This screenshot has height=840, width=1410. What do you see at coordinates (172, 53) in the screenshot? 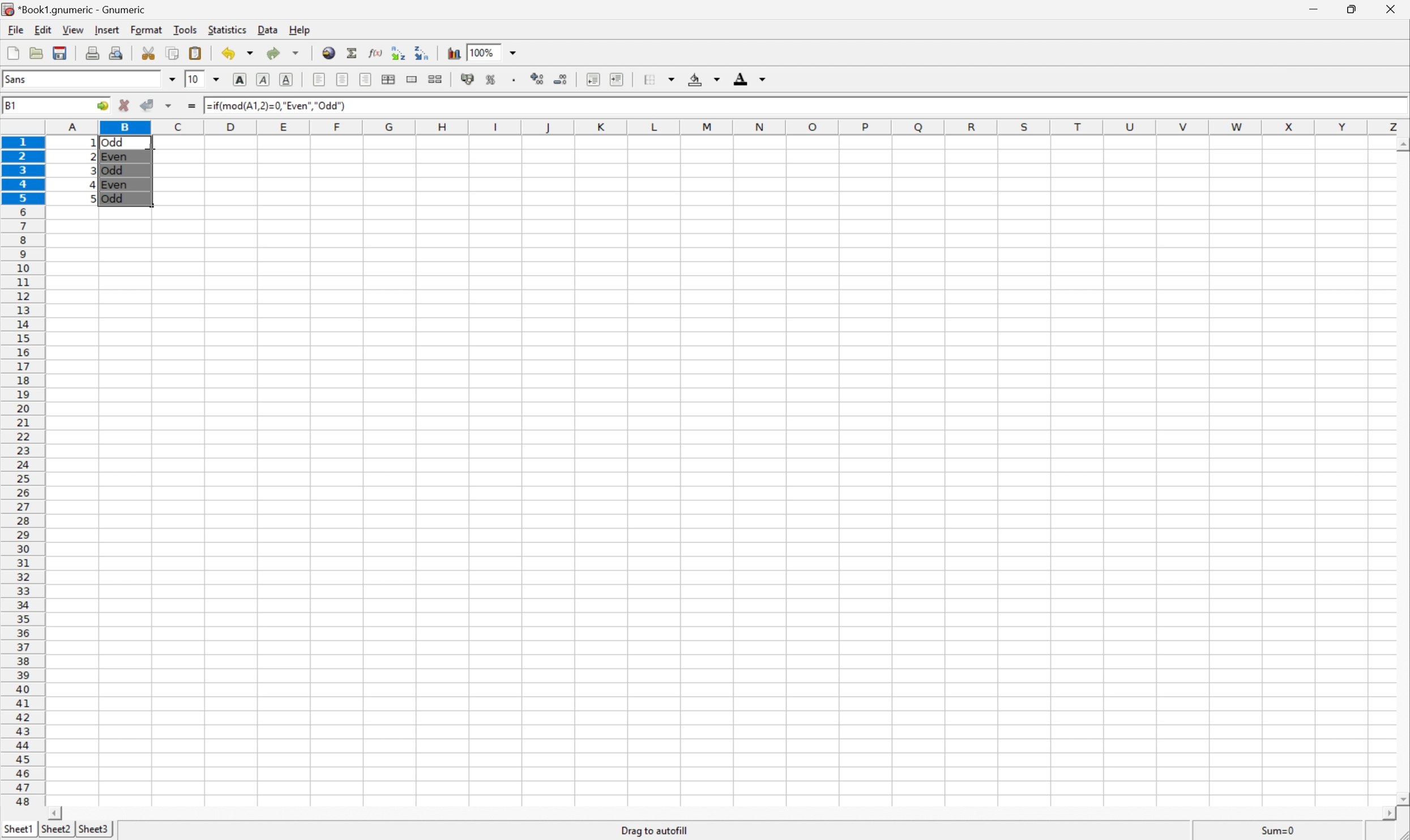
I see `Copy selection` at bounding box center [172, 53].